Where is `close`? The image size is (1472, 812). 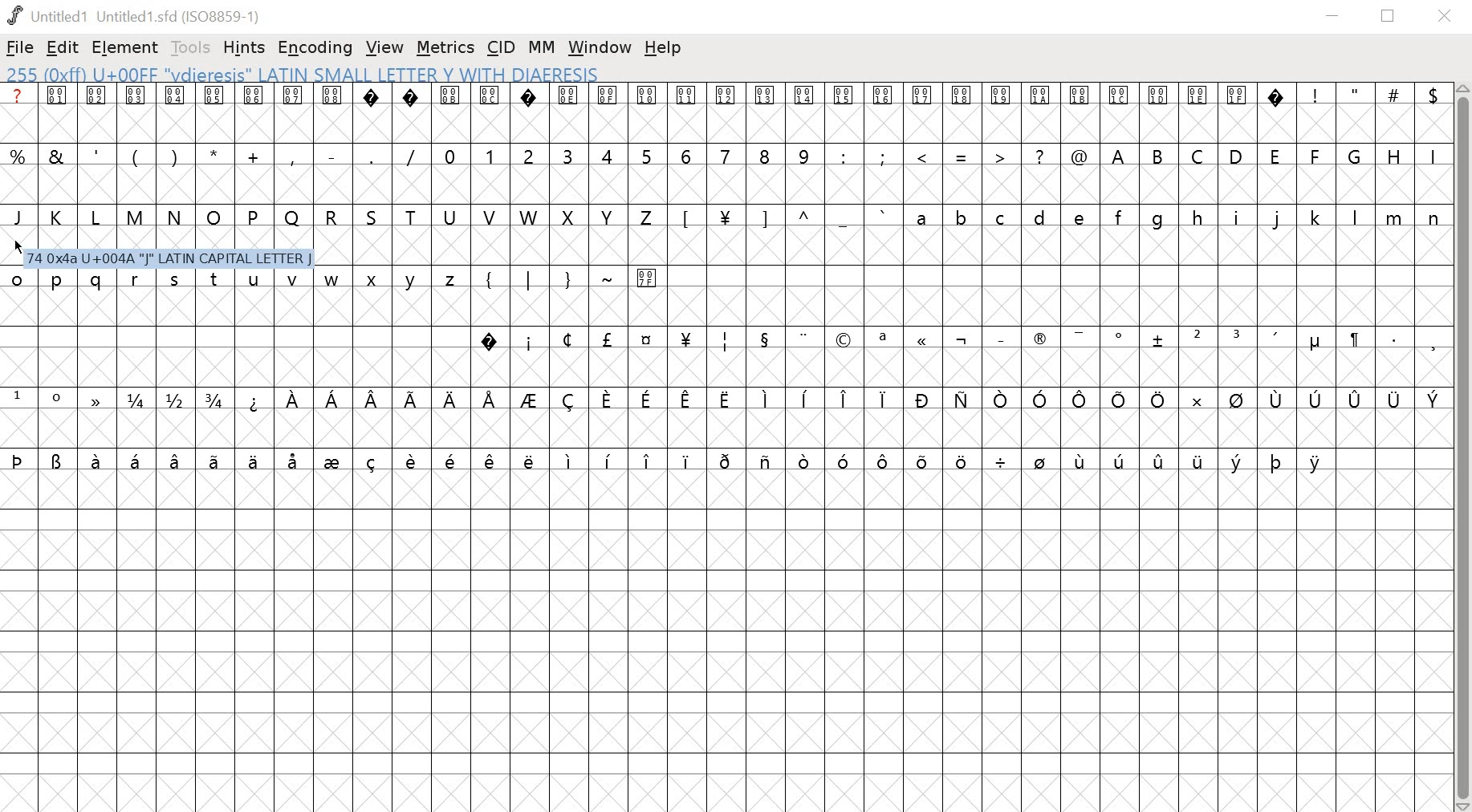 close is located at coordinates (1447, 17).